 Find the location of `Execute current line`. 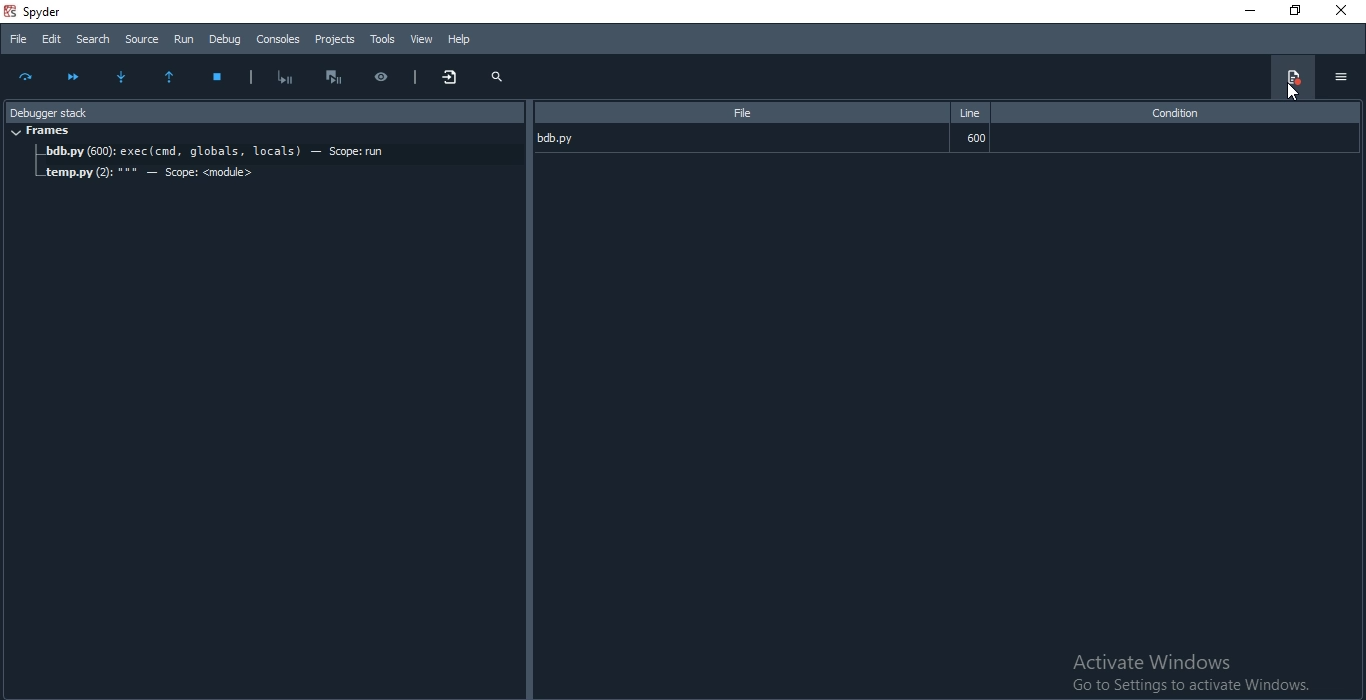

Execute current line is located at coordinates (28, 79).